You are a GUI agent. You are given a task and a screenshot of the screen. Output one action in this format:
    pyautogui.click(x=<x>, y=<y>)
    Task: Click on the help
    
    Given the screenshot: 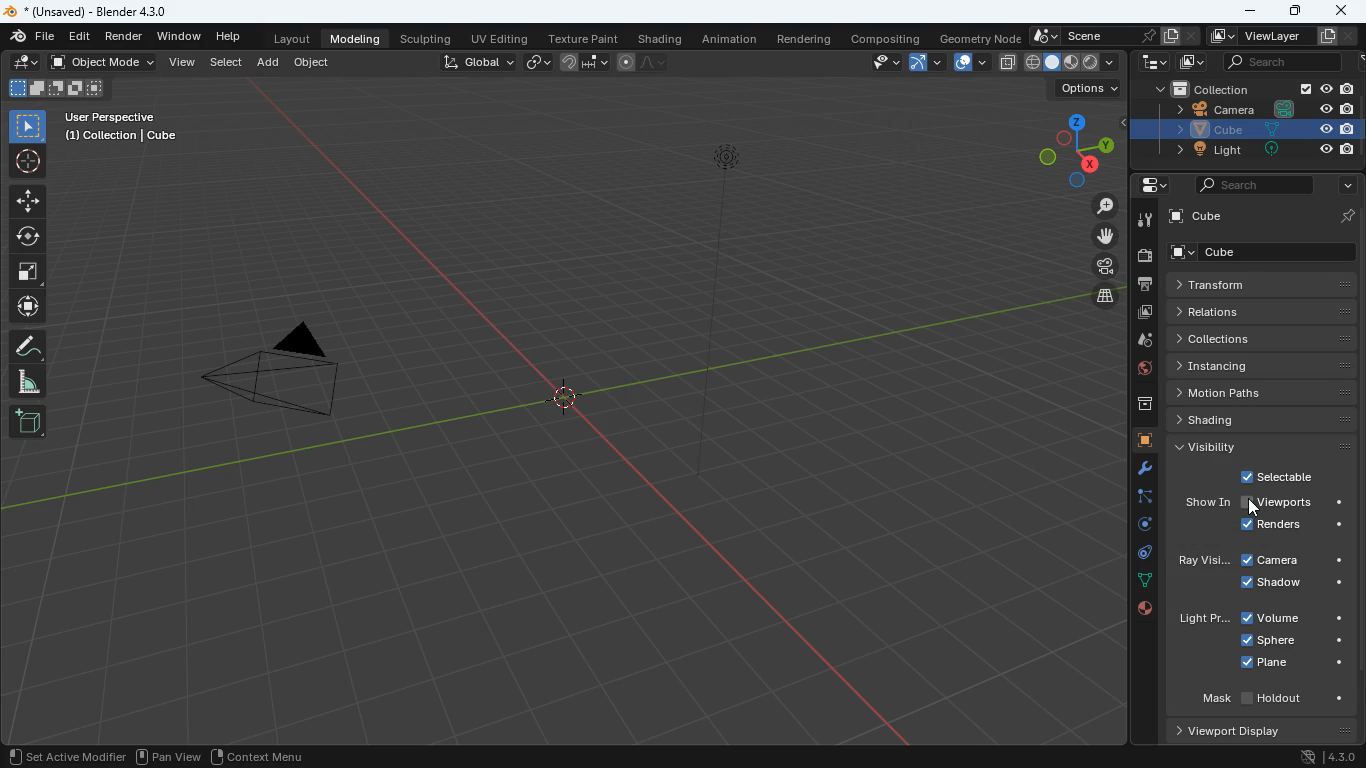 What is the action you would take?
    pyautogui.click(x=227, y=37)
    